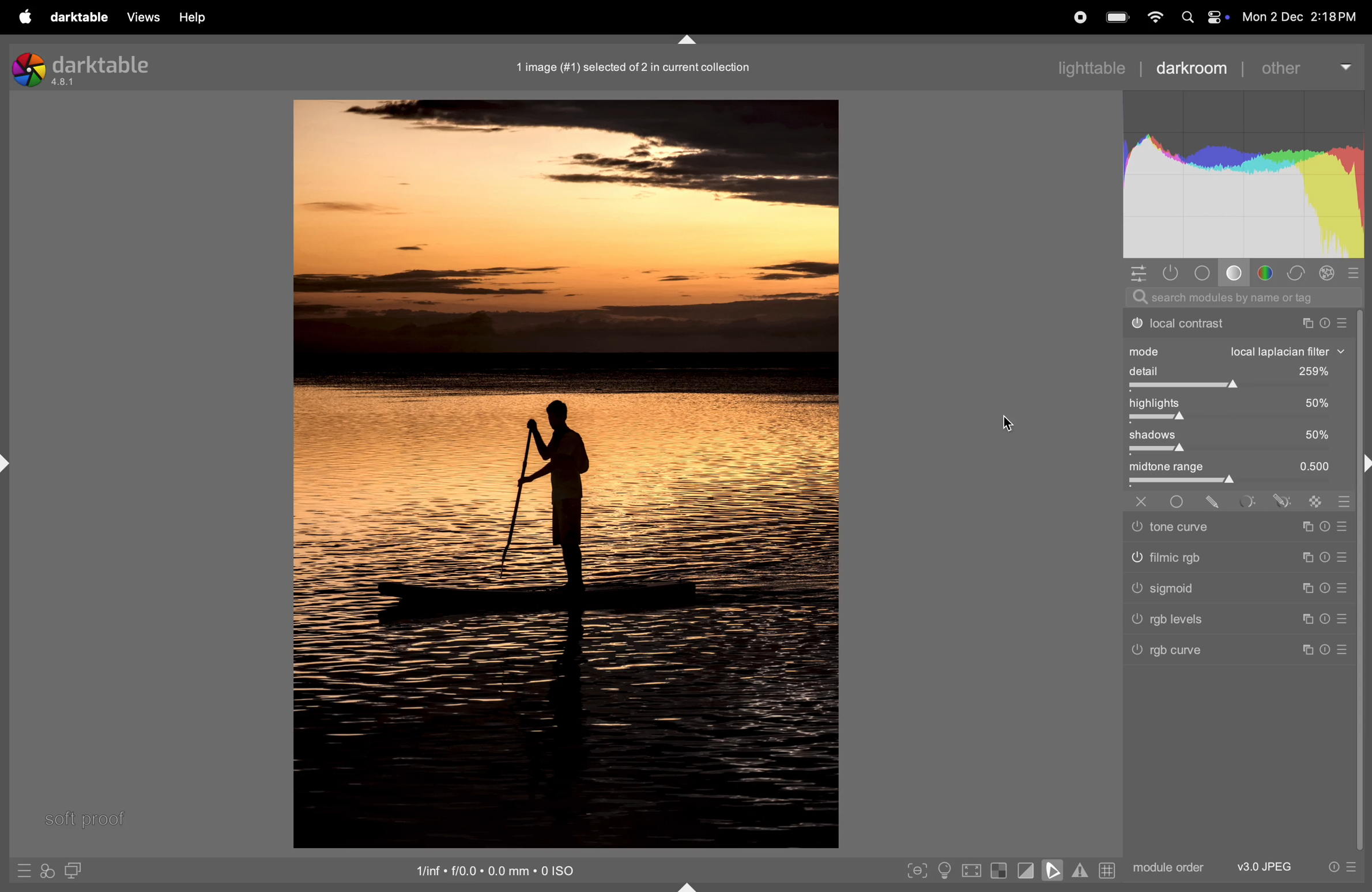  I want to click on grid, so click(1106, 869).